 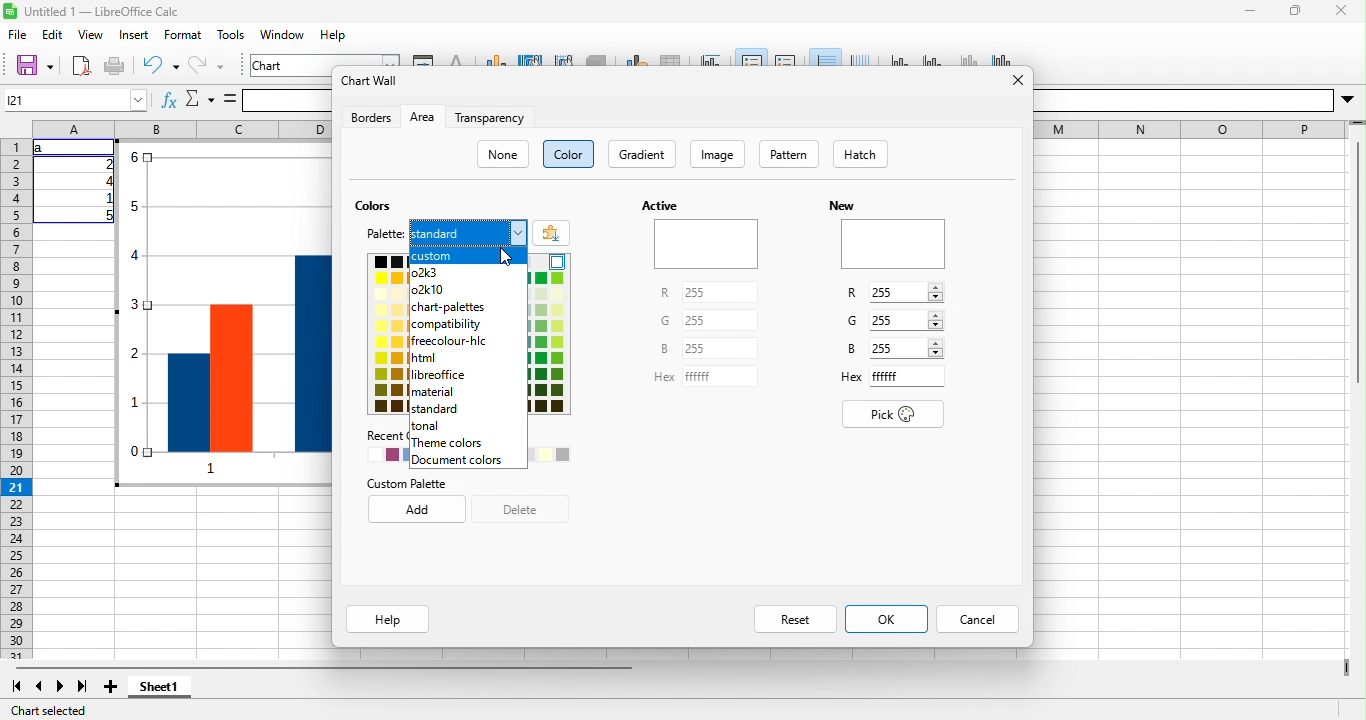 I want to click on freecolour hic, so click(x=468, y=341).